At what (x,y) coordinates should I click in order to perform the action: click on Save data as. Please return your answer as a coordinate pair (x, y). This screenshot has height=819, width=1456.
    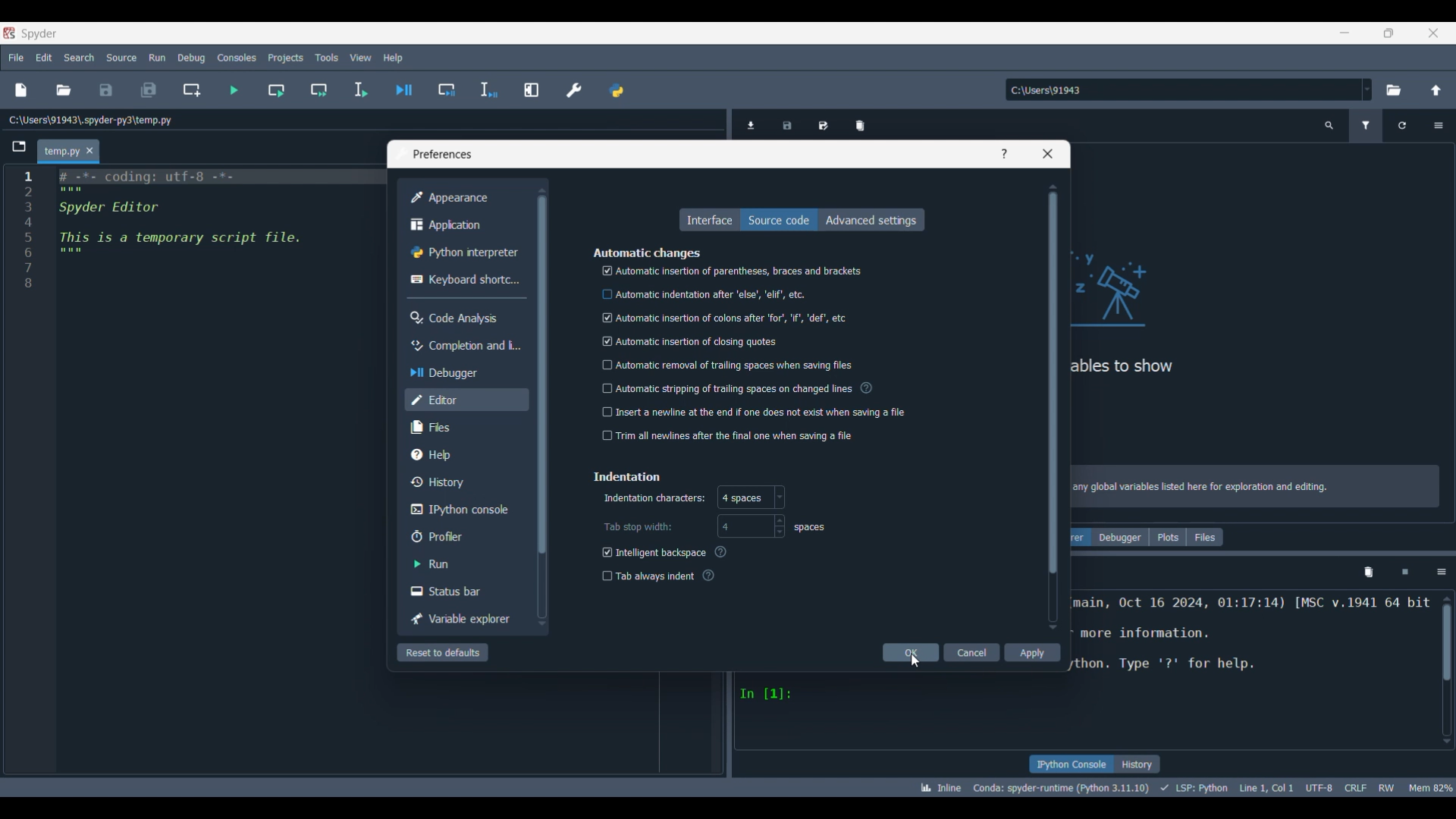
    Looking at the image, I should click on (824, 124).